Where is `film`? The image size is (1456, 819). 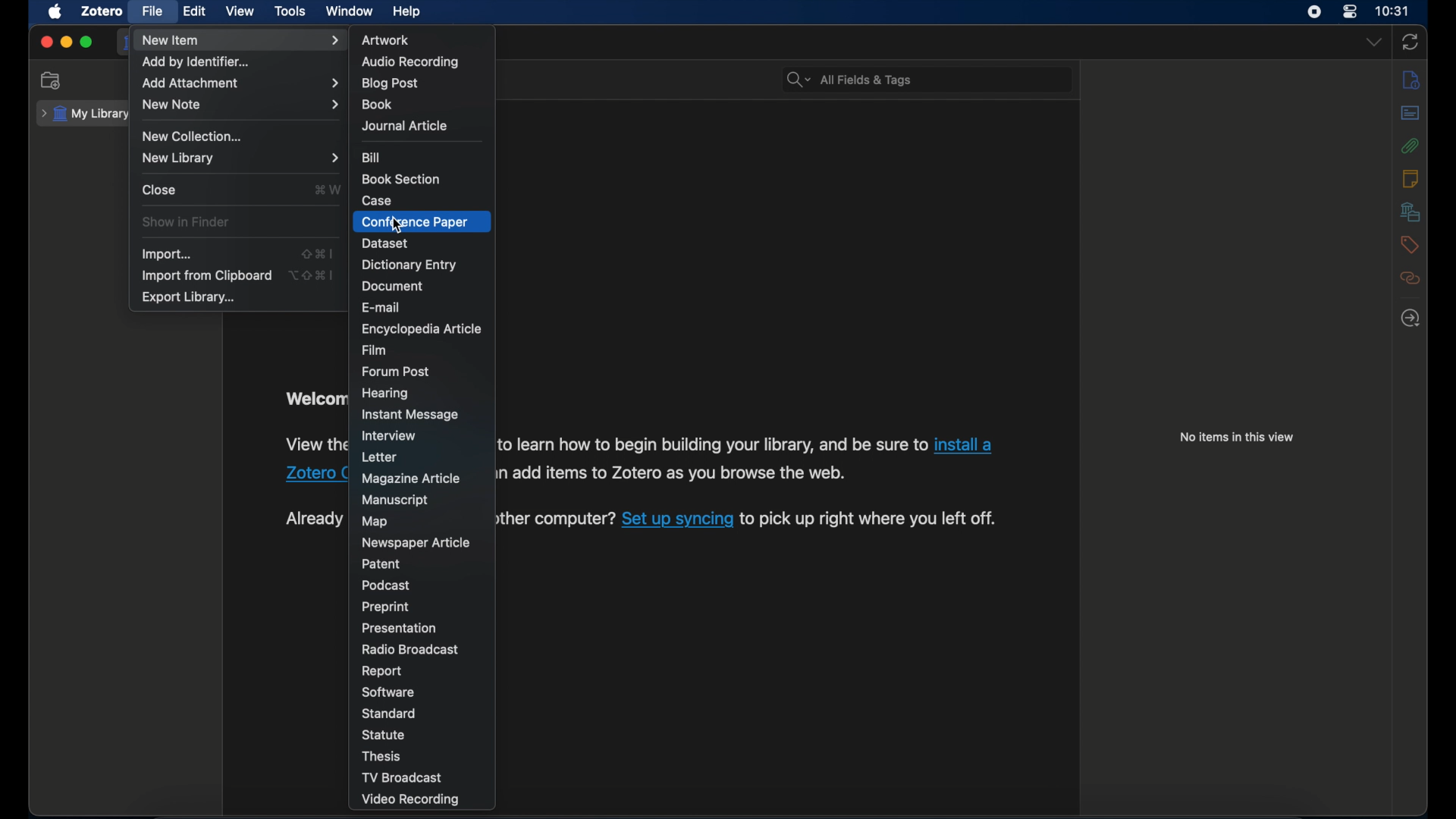 film is located at coordinates (375, 350).